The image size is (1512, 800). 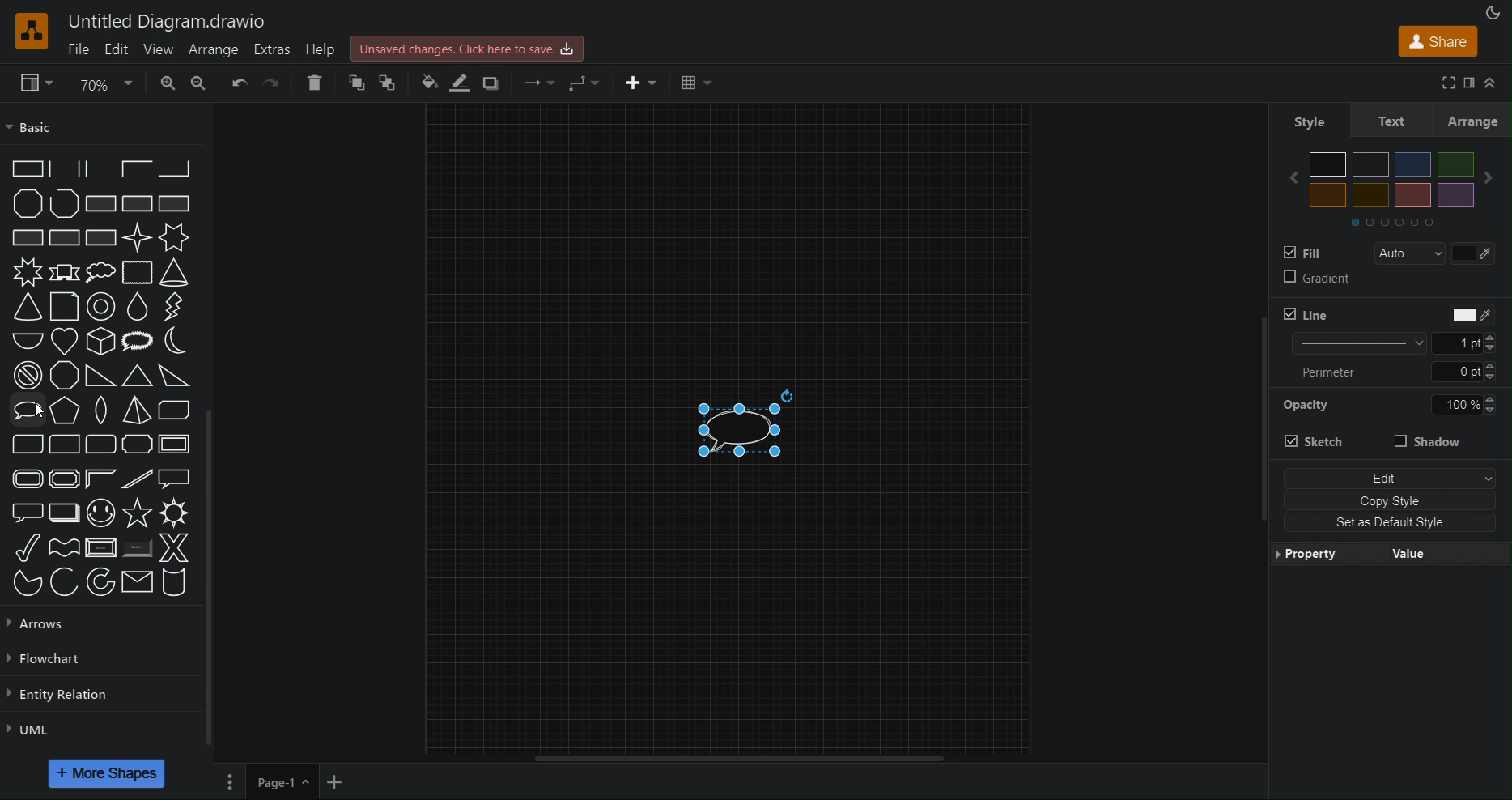 I want to click on Rounded Frame, so click(x=28, y=479).